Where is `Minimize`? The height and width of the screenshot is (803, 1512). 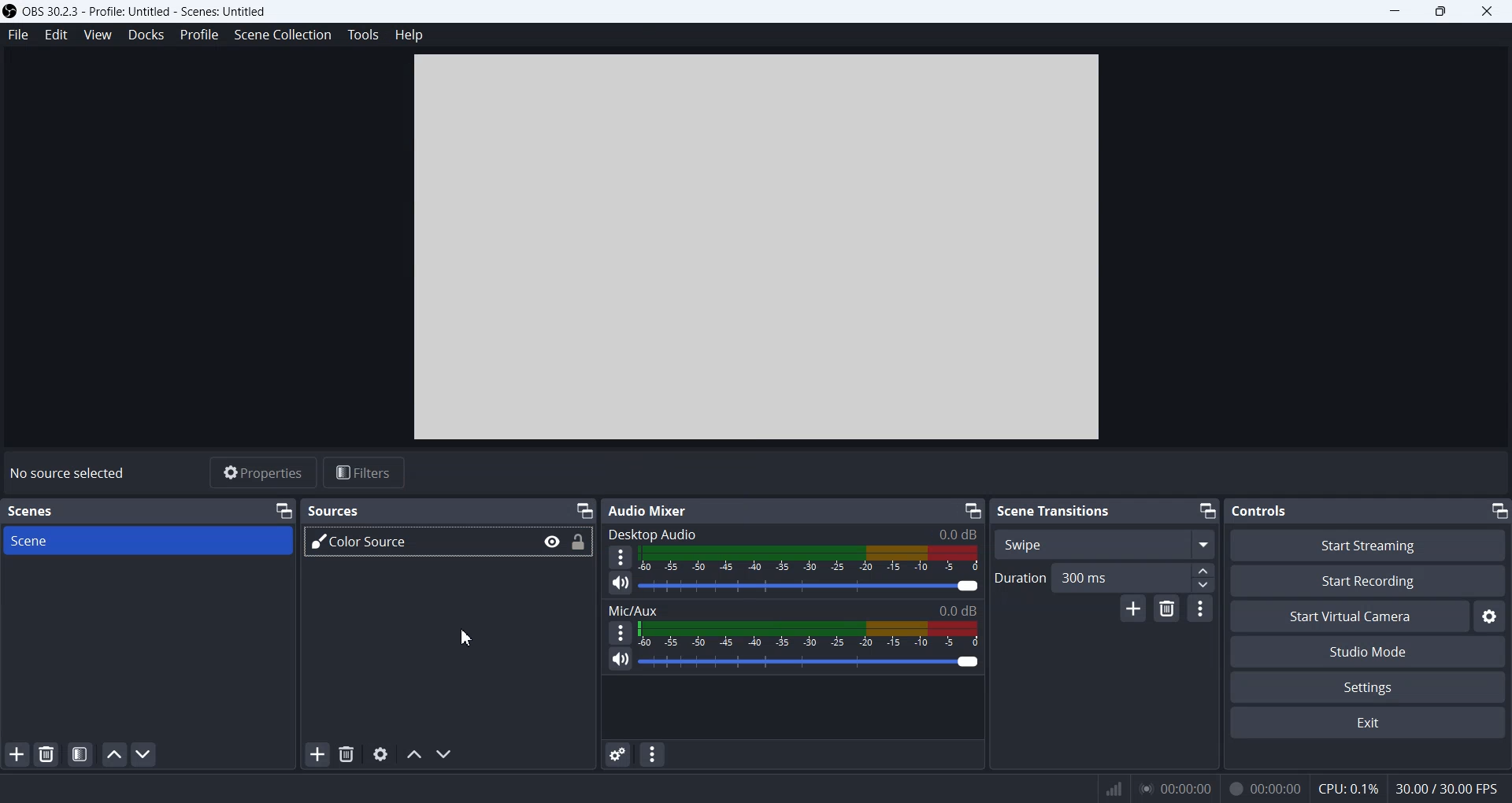
Minimize is located at coordinates (584, 508).